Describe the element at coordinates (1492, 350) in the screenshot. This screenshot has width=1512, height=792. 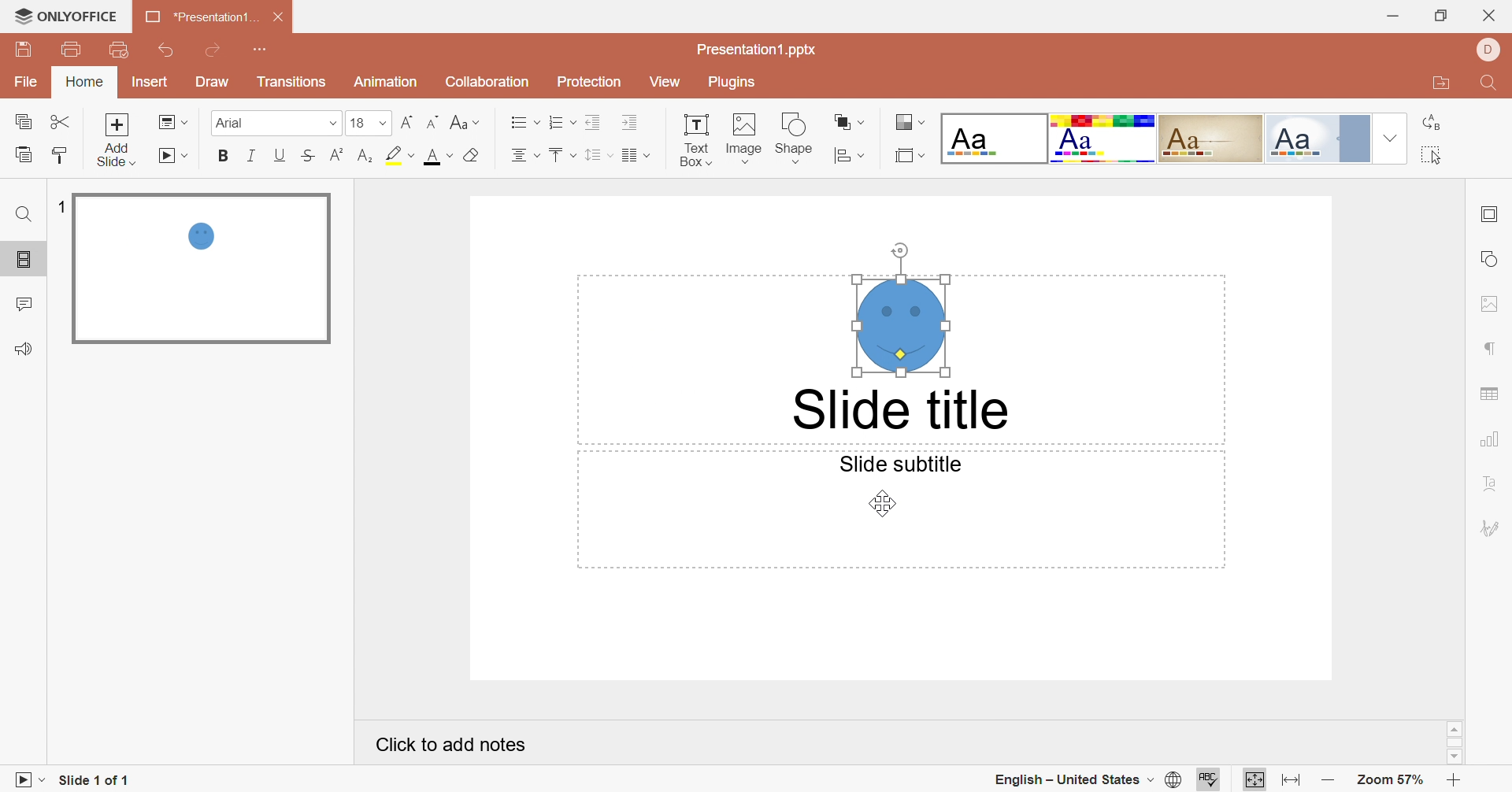
I see `paragraph settings` at that location.